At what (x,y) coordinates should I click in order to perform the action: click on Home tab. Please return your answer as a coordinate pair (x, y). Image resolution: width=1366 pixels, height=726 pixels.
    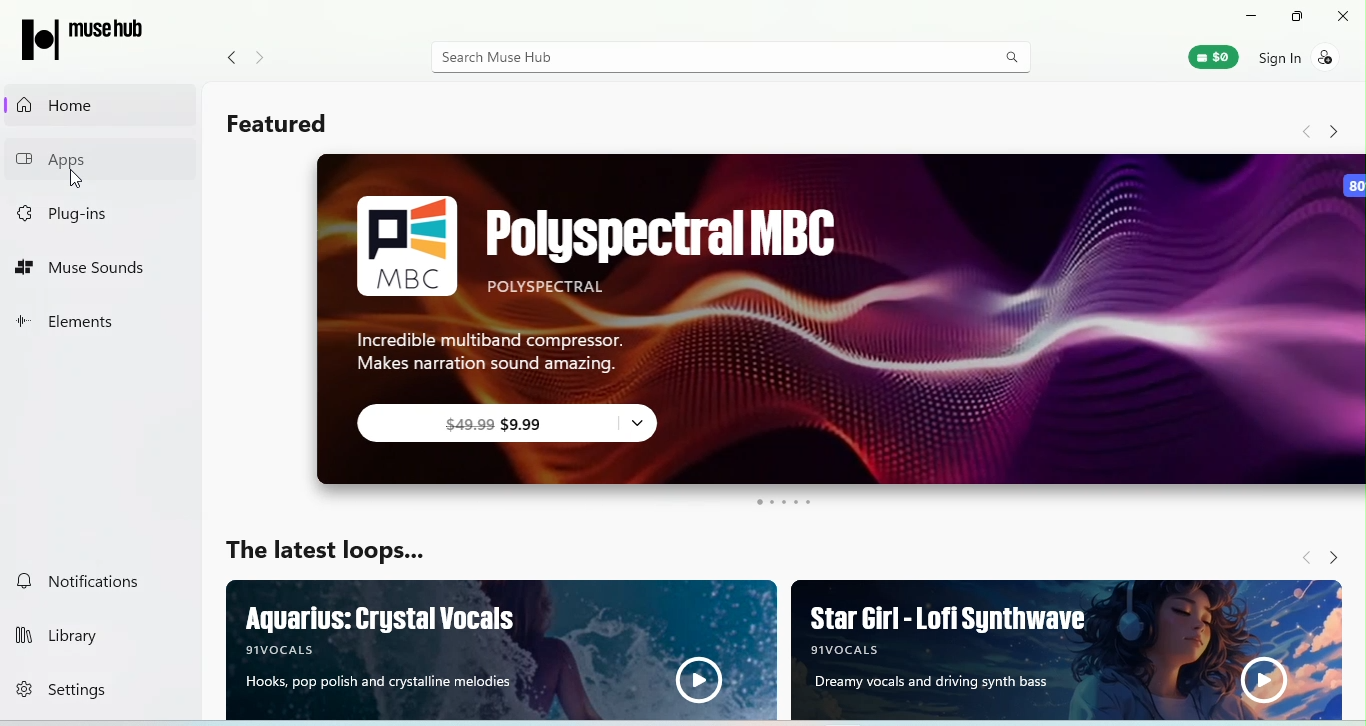
    Looking at the image, I should click on (57, 106).